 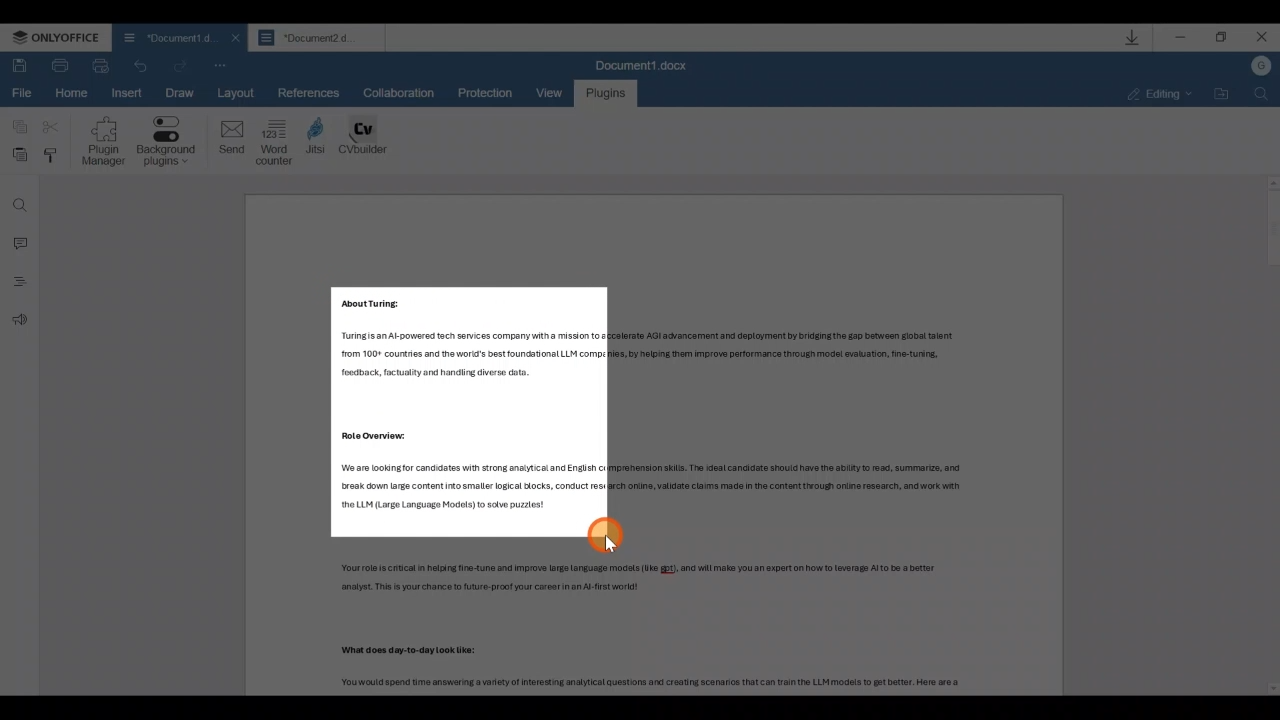 What do you see at coordinates (318, 139) in the screenshot?
I see `Jitsi` at bounding box center [318, 139].